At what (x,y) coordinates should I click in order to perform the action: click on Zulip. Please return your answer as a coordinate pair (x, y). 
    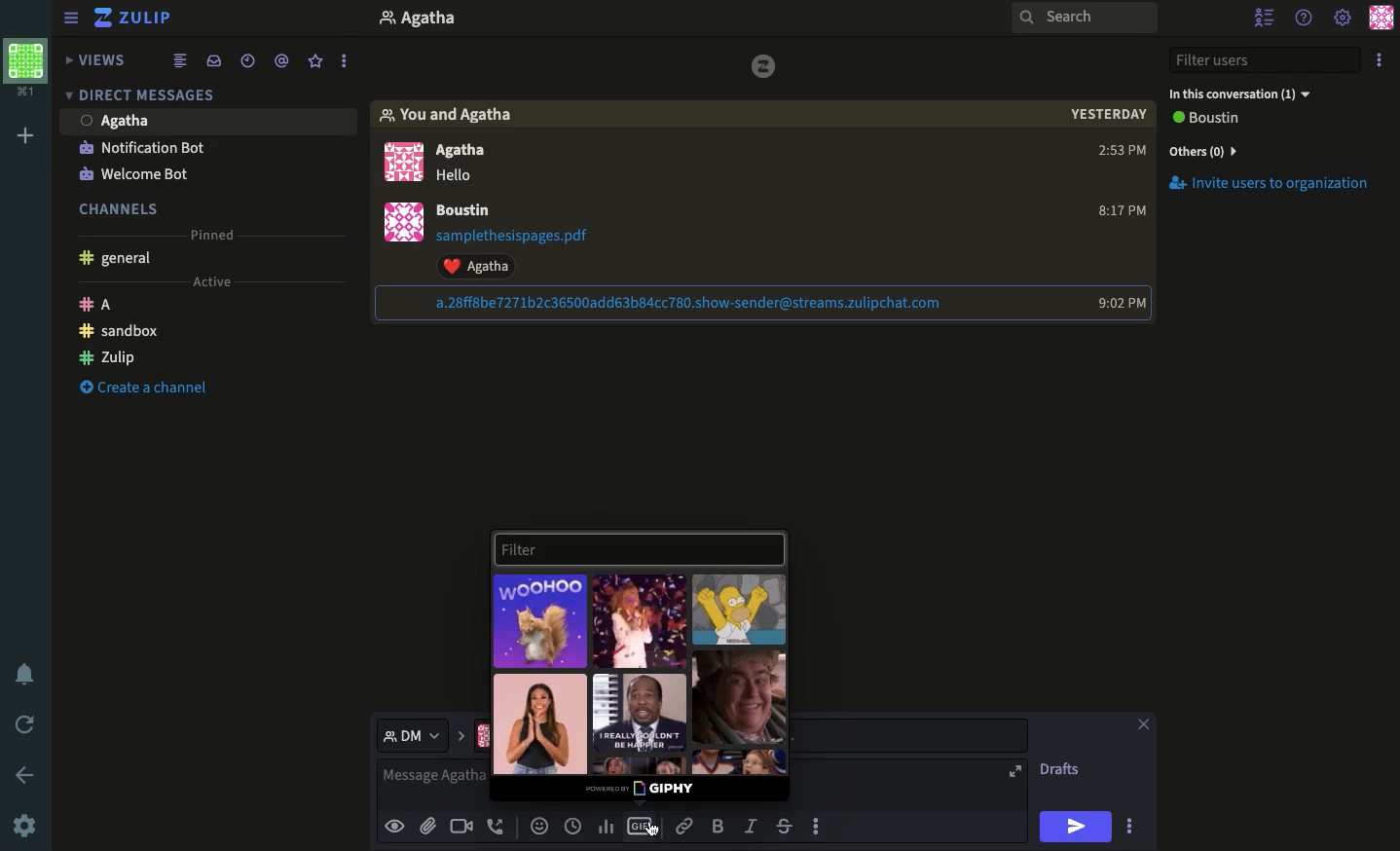
    Looking at the image, I should click on (142, 18).